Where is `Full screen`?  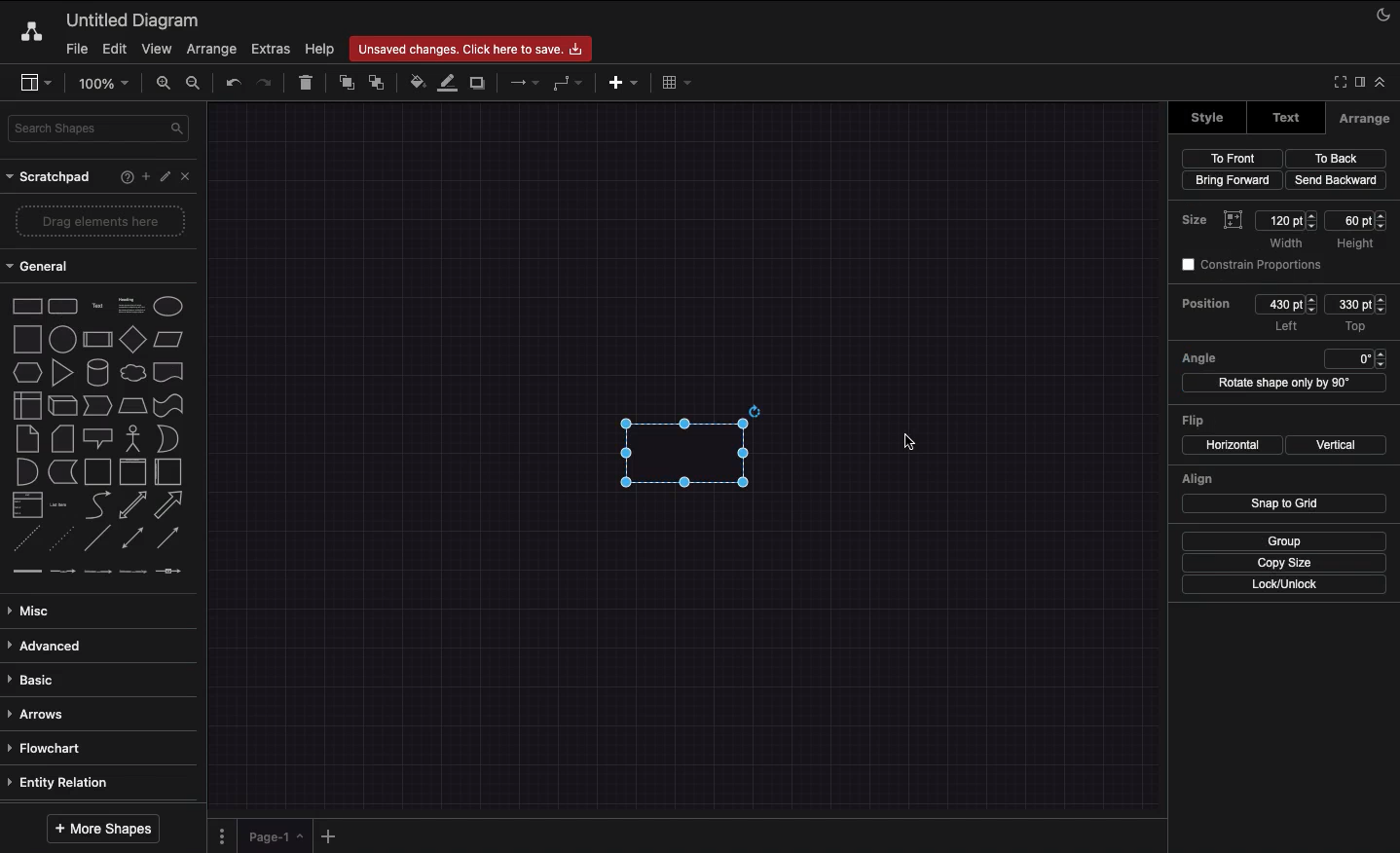 Full screen is located at coordinates (1338, 83).